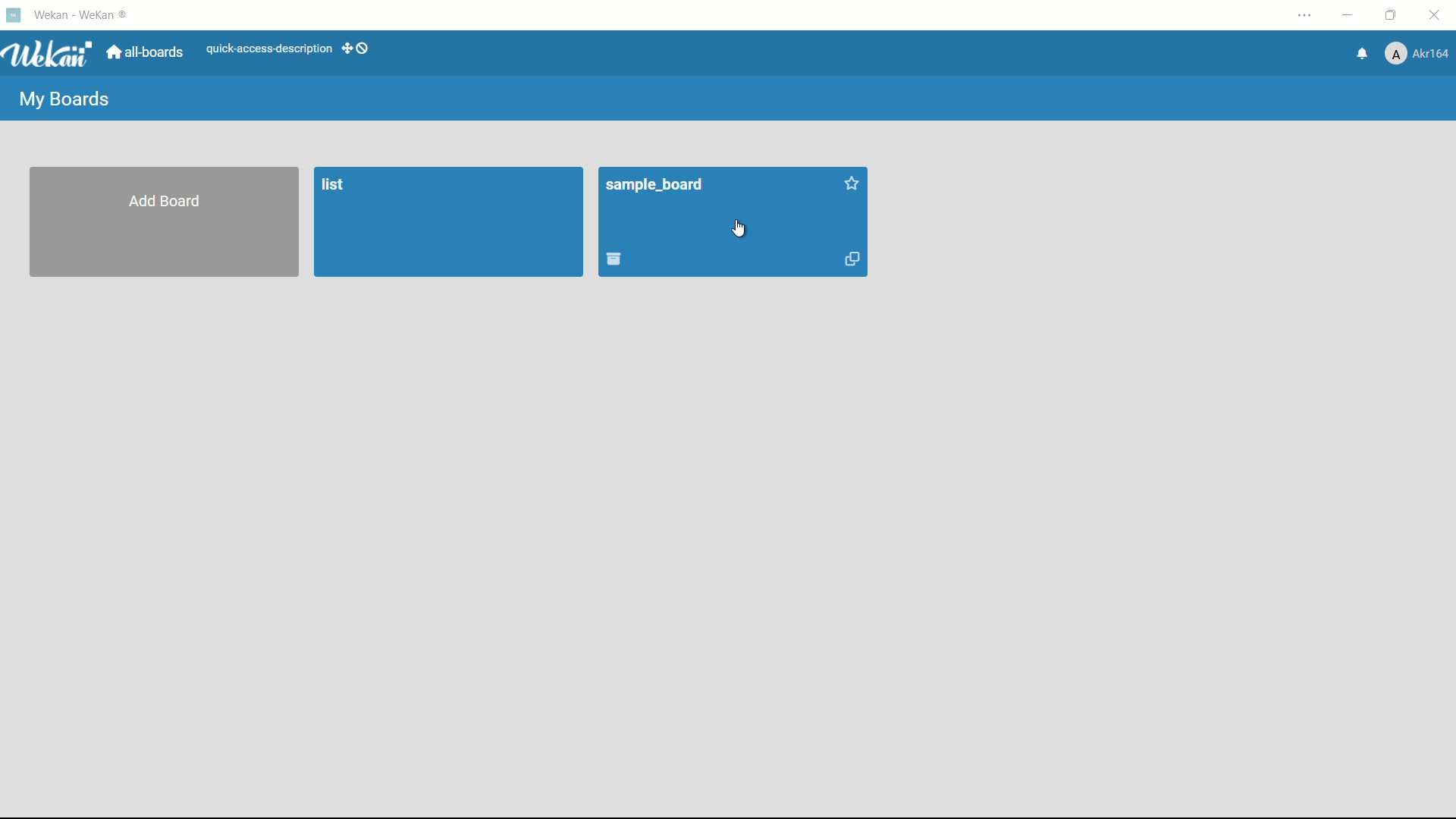 This screenshot has width=1456, height=819. Describe the element at coordinates (615, 260) in the screenshot. I see `move board to archive` at that location.